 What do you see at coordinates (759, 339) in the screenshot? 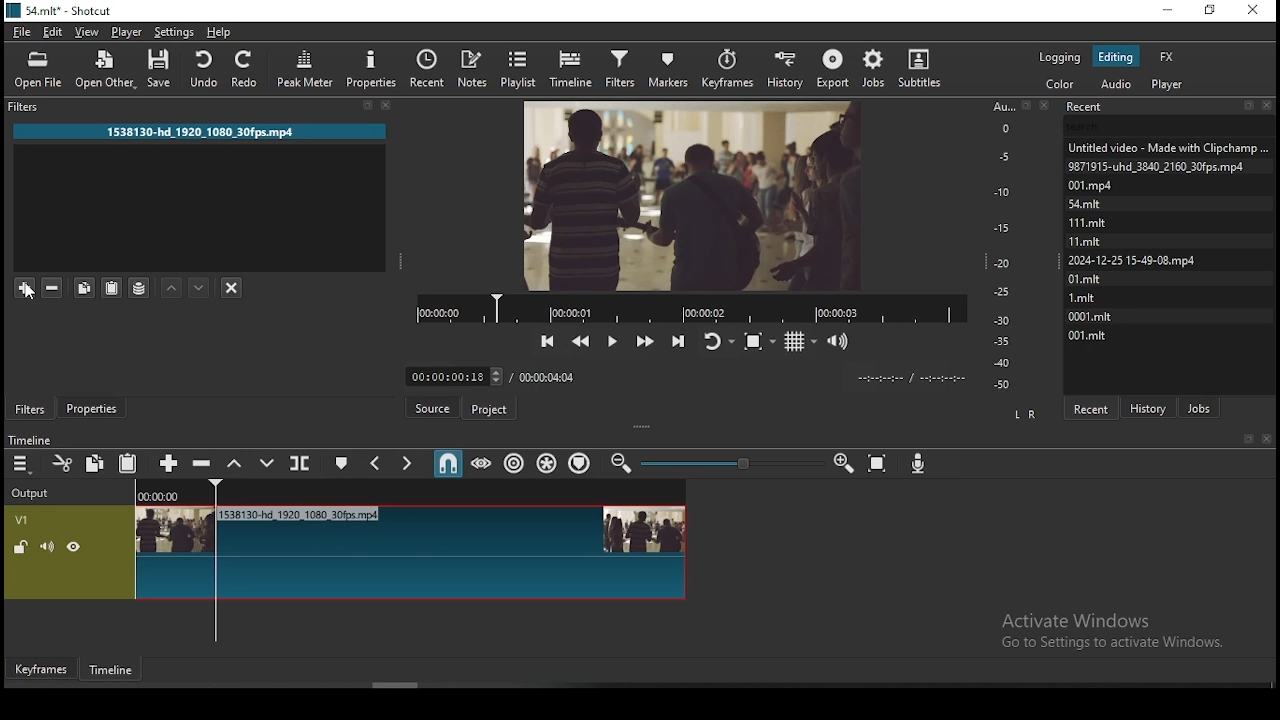
I see `toggle zoom` at bounding box center [759, 339].